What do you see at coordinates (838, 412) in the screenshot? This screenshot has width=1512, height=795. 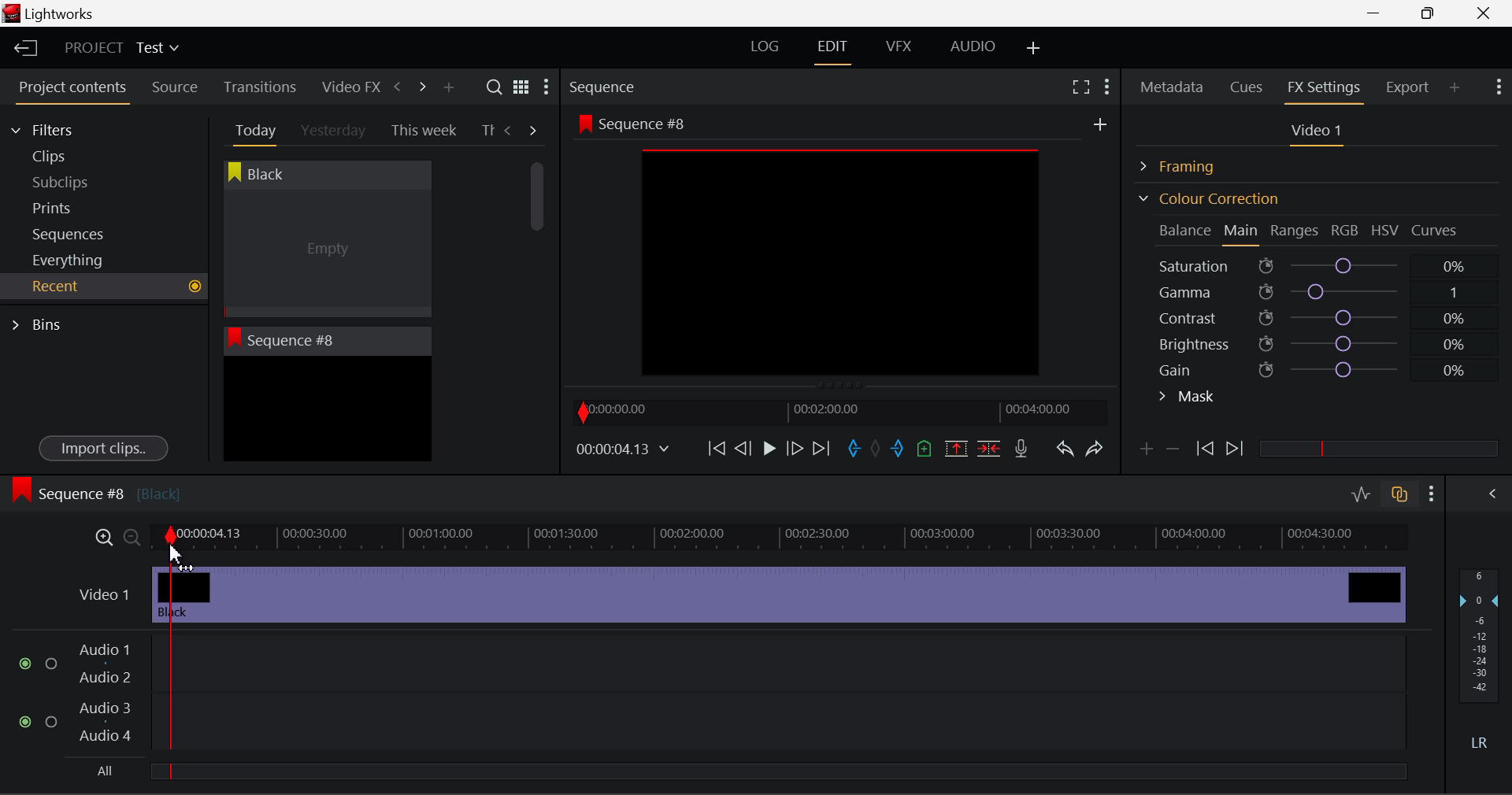 I see `Project Timeline Navigator` at bounding box center [838, 412].